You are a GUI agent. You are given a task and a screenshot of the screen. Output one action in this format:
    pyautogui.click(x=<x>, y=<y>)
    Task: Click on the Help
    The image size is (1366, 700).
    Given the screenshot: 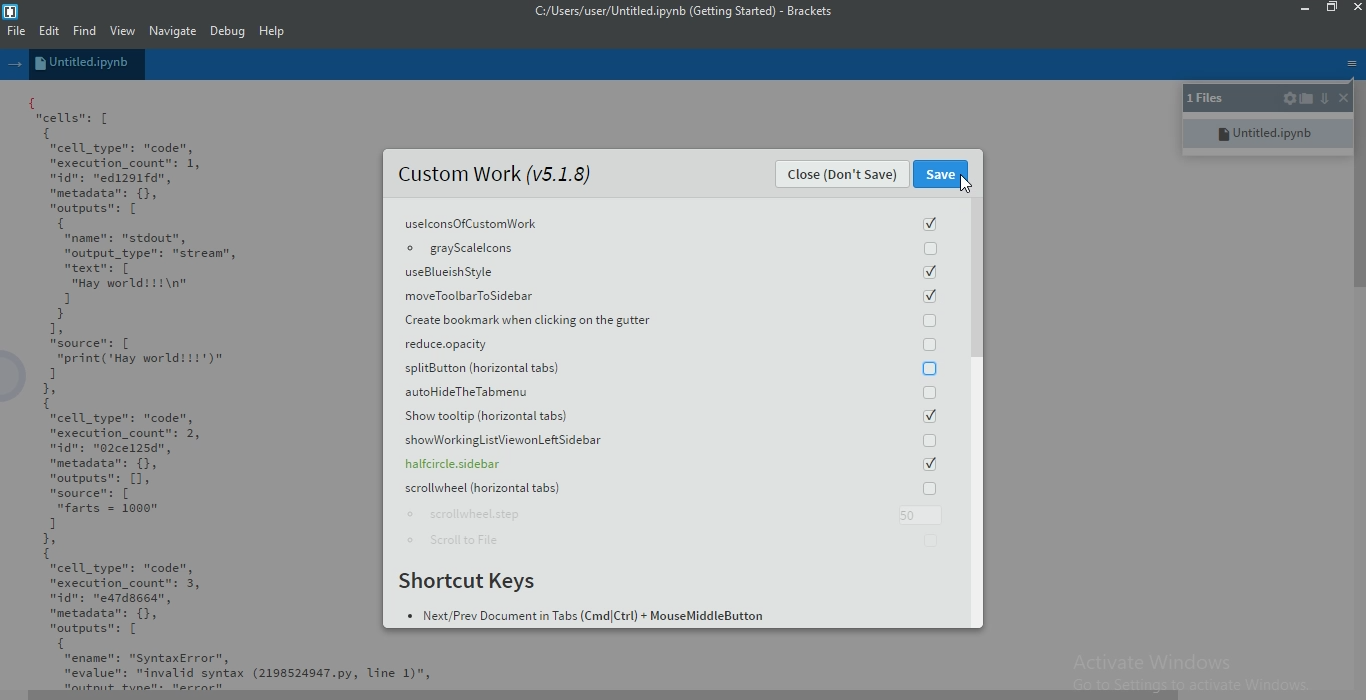 What is the action you would take?
    pyautogui.click(x=273, y=33)
    